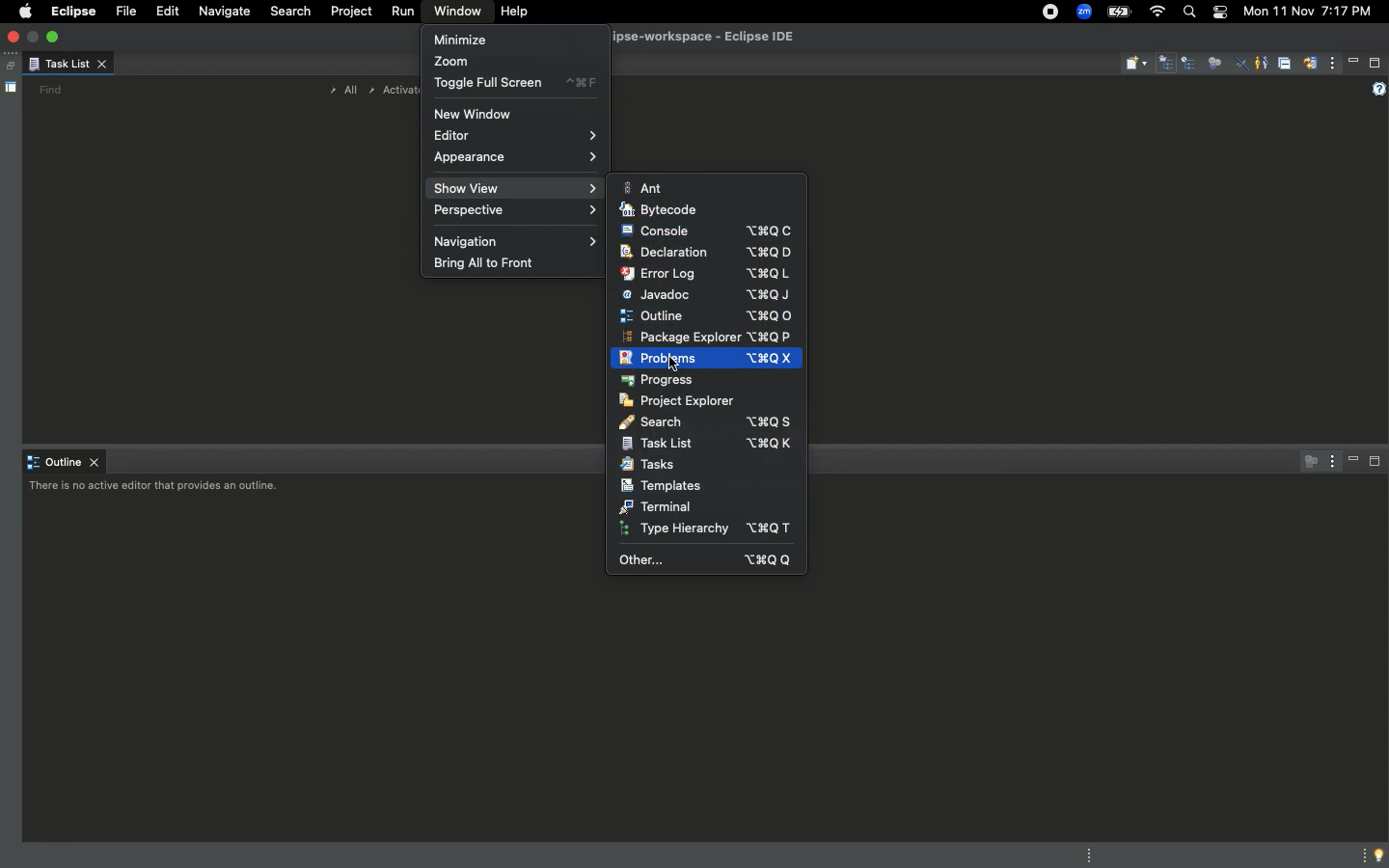 The height and width of the screenshot is (868, 1389). I want to click on Problems, so click(708, 360).